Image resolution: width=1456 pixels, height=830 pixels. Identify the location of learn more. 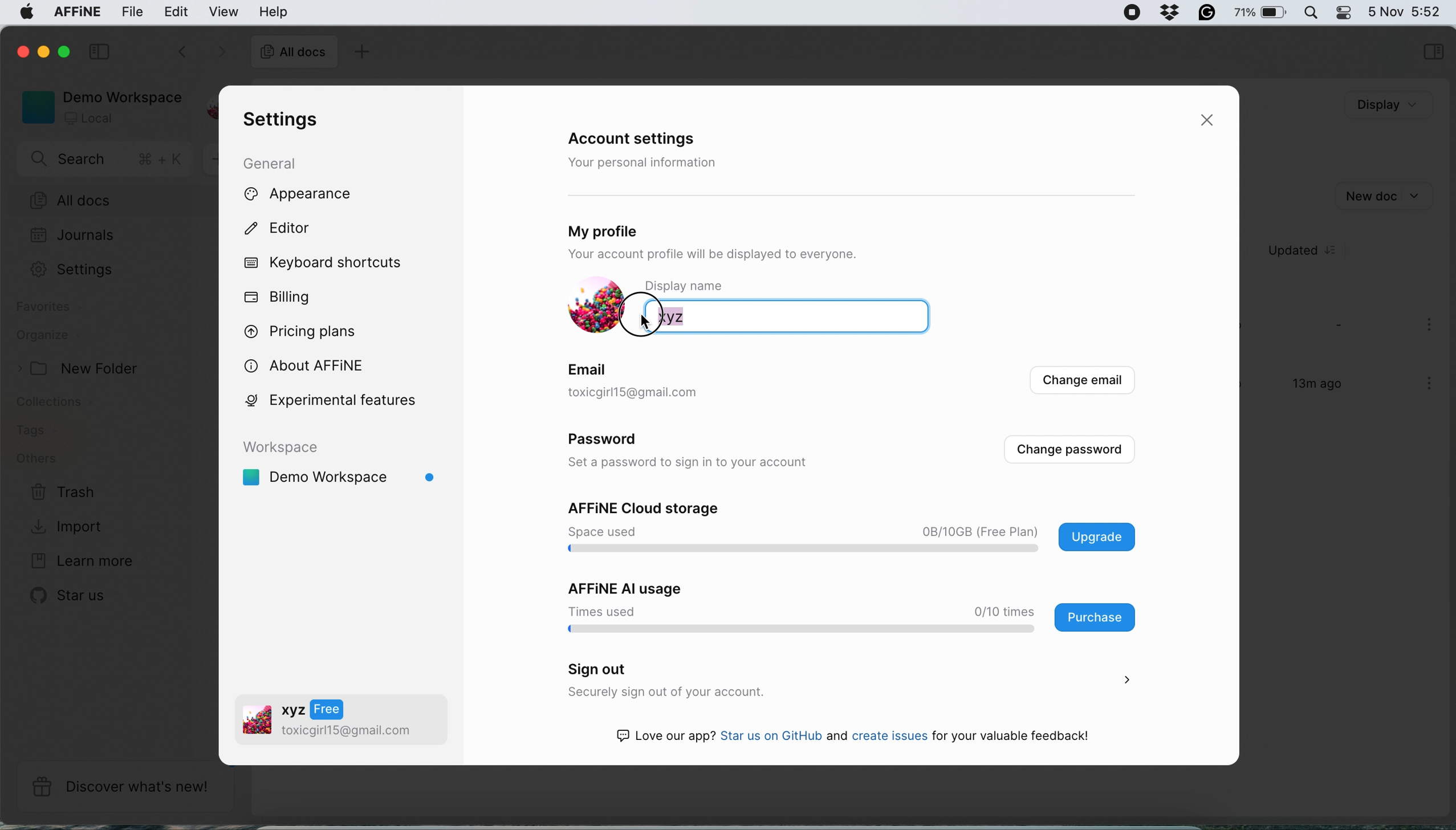
(79, 562).